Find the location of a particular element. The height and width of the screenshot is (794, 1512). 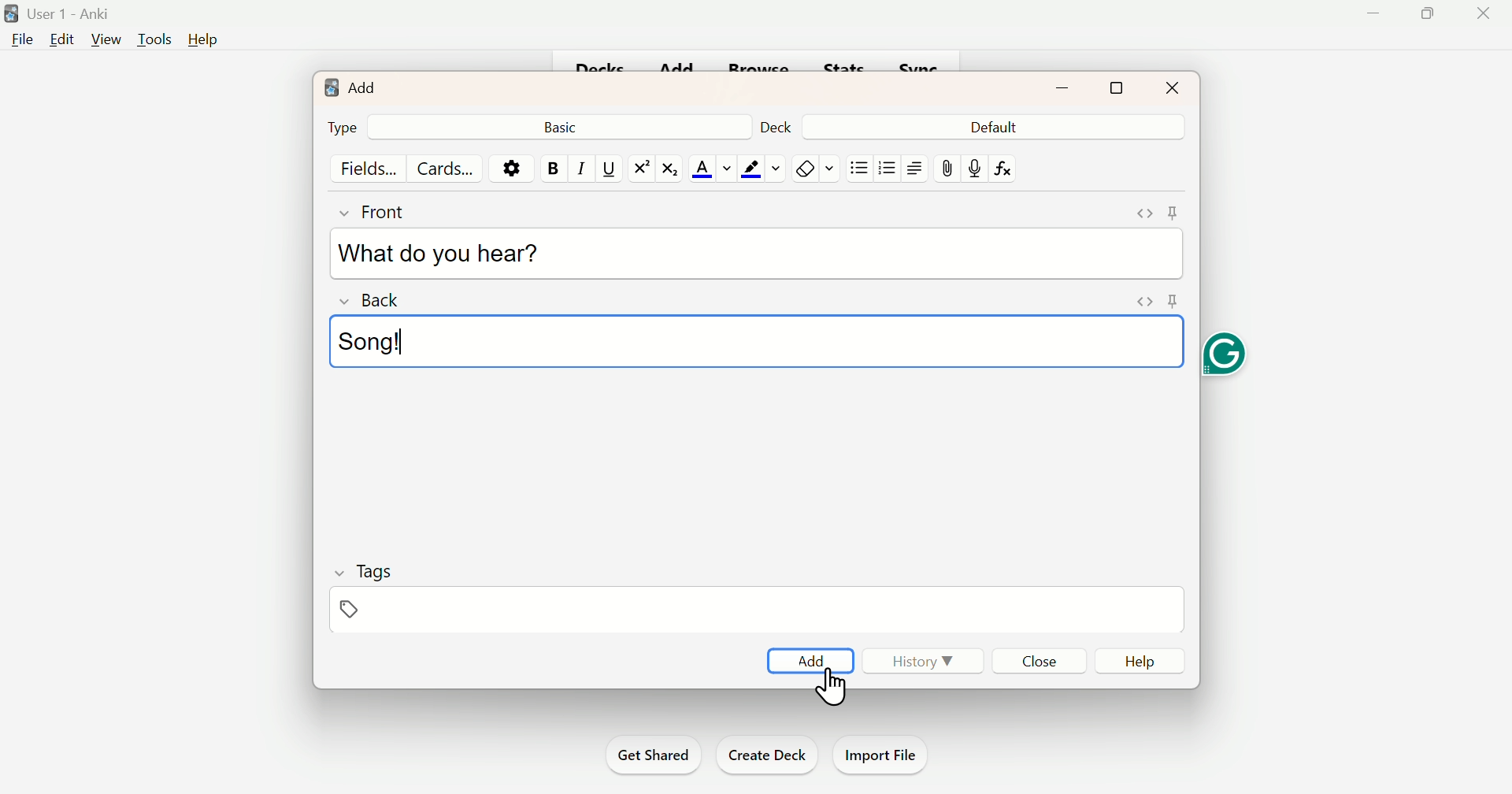

Cards... is located at coordinates (442, 167).